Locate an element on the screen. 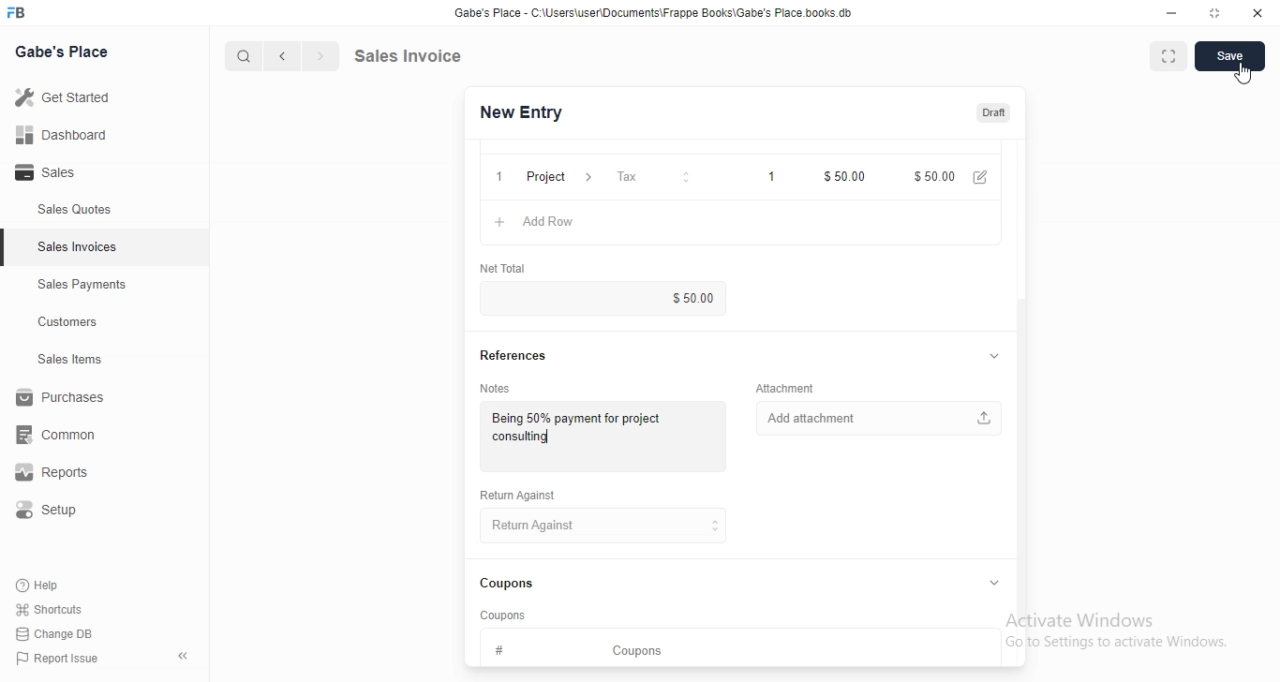 The height and width of the screenshot is (682, 1280). New Entry is located at coordinates (528, 112).